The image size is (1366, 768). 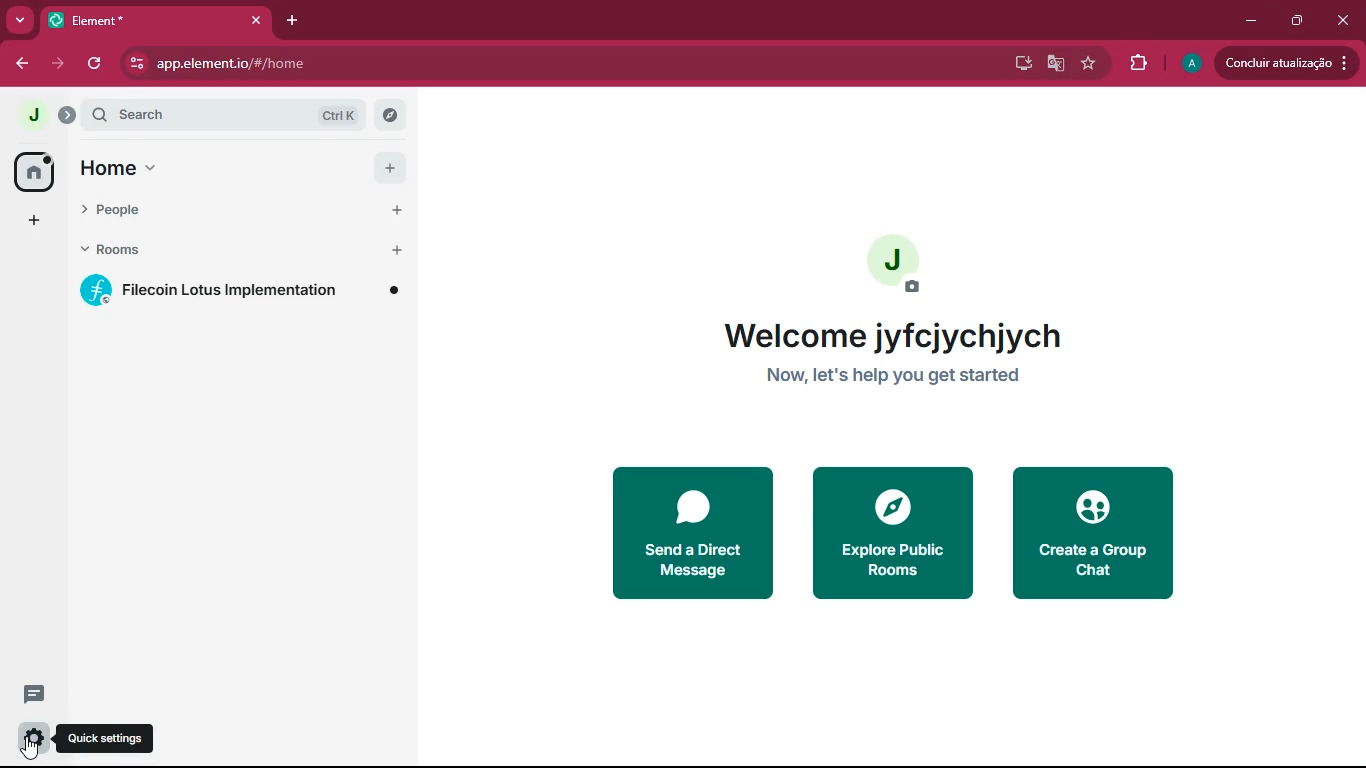 What do you see at coordinates (225, 117) in the screenshot?
I see `search ctrl k` at bounding box center [225, 117].